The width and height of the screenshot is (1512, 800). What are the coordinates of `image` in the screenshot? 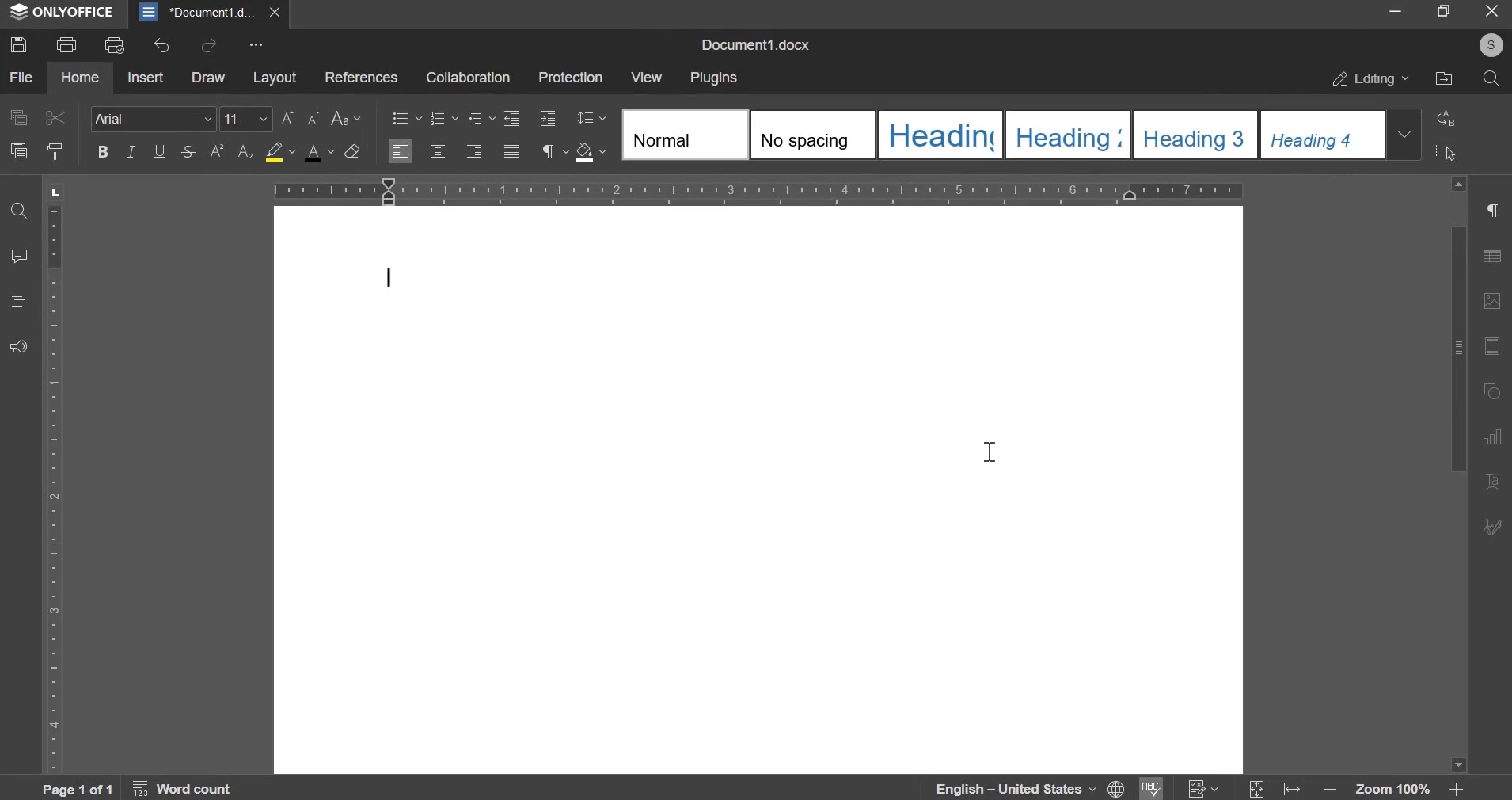 It's located at (1492, 303).